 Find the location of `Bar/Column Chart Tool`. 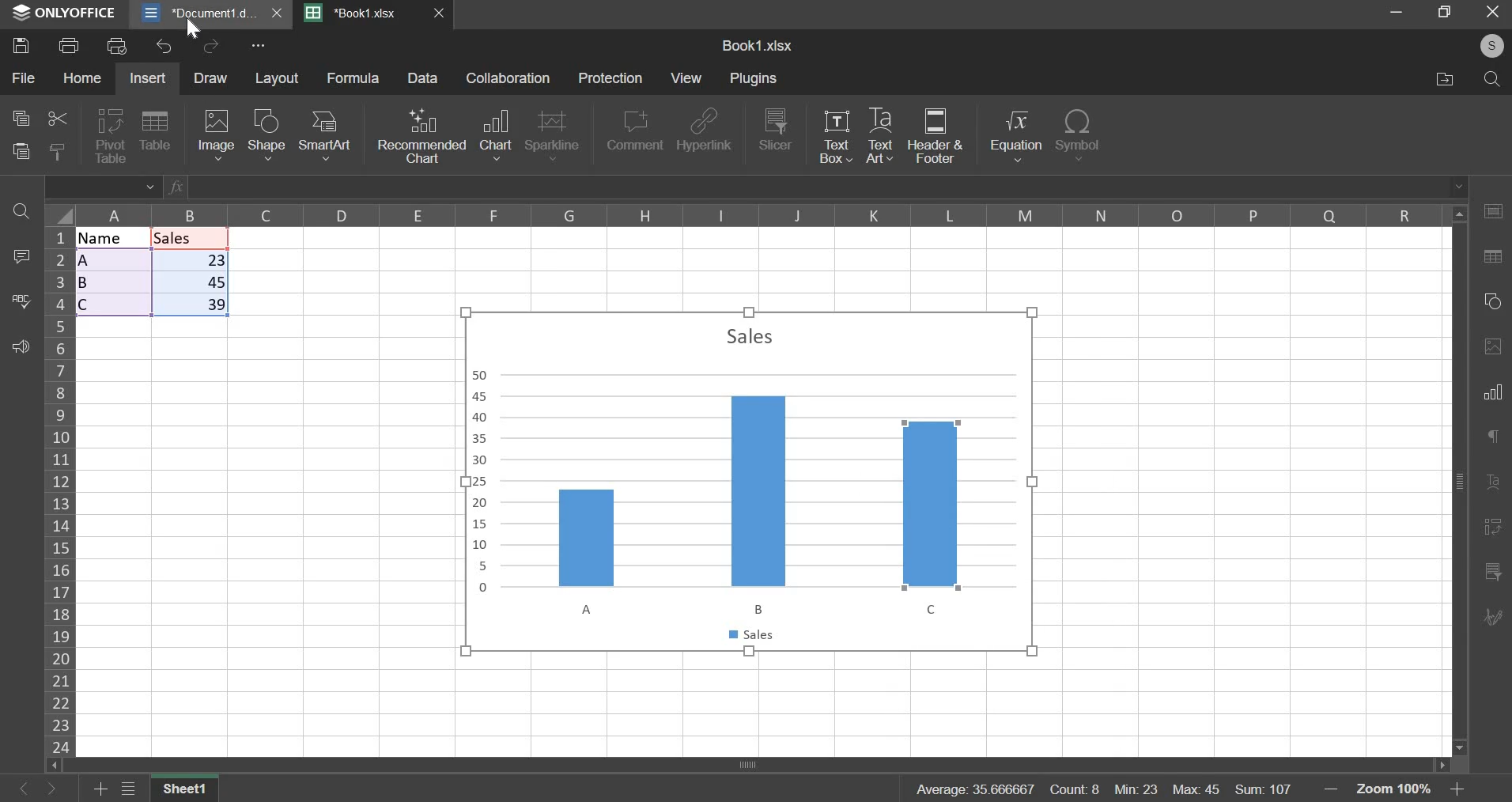

Bar/Column Chart Tool is located at coordinates (1493, 392).